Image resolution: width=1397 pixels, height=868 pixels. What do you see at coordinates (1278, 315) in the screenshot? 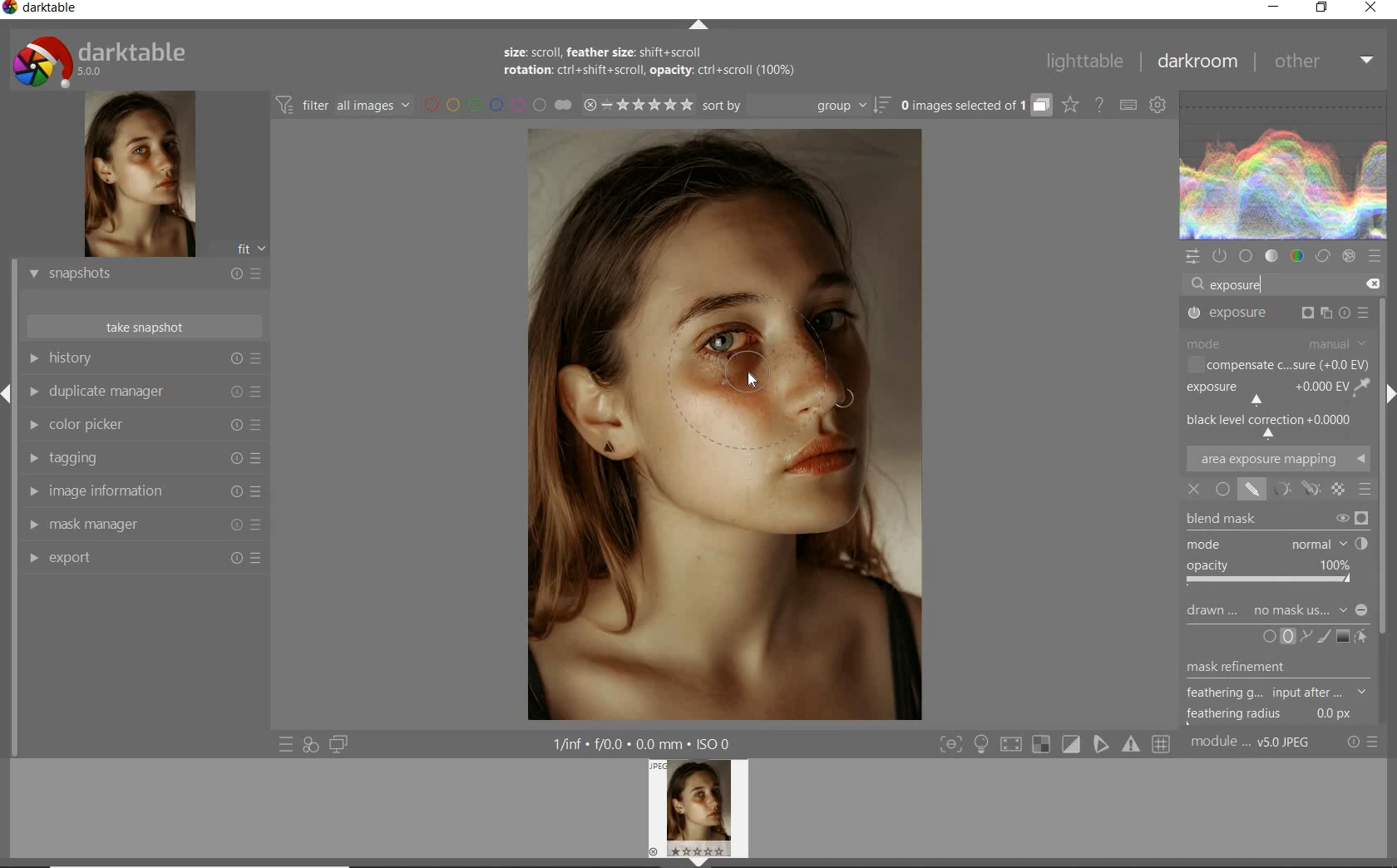
I see `EXPOSURE` at bounding box center [1278, 315].